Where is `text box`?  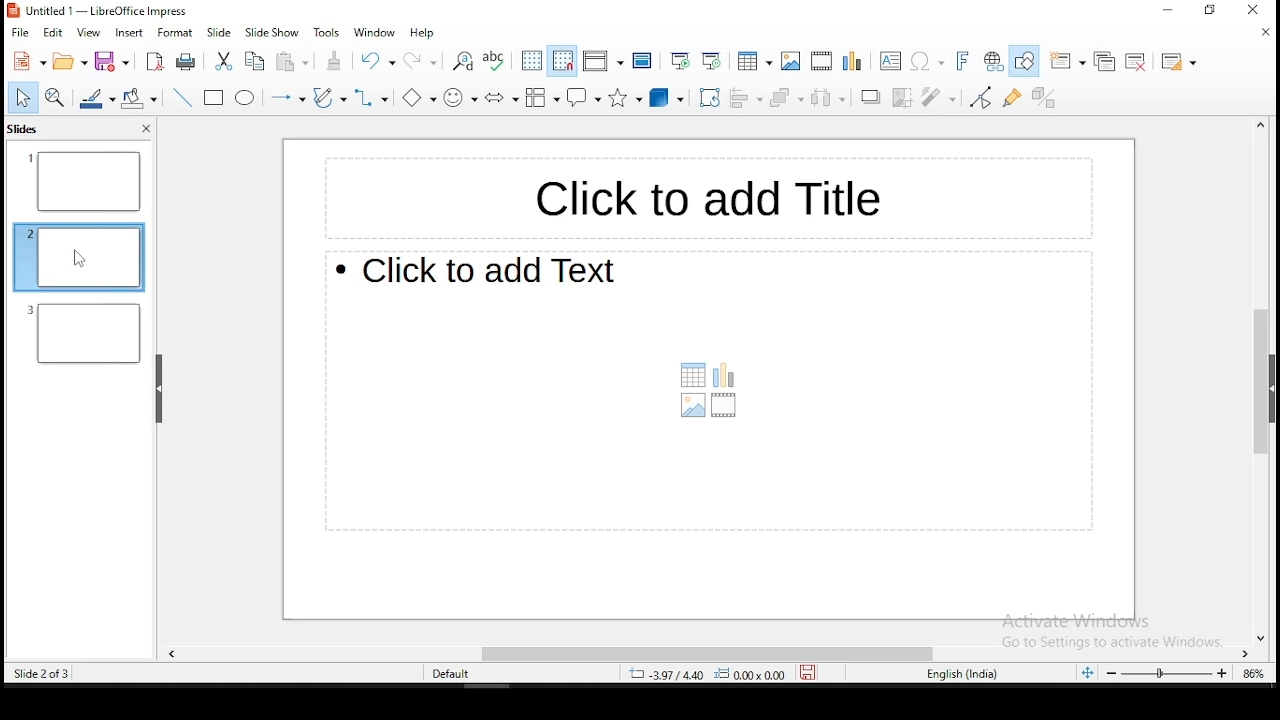
text box is located at coordinates (888, 61).